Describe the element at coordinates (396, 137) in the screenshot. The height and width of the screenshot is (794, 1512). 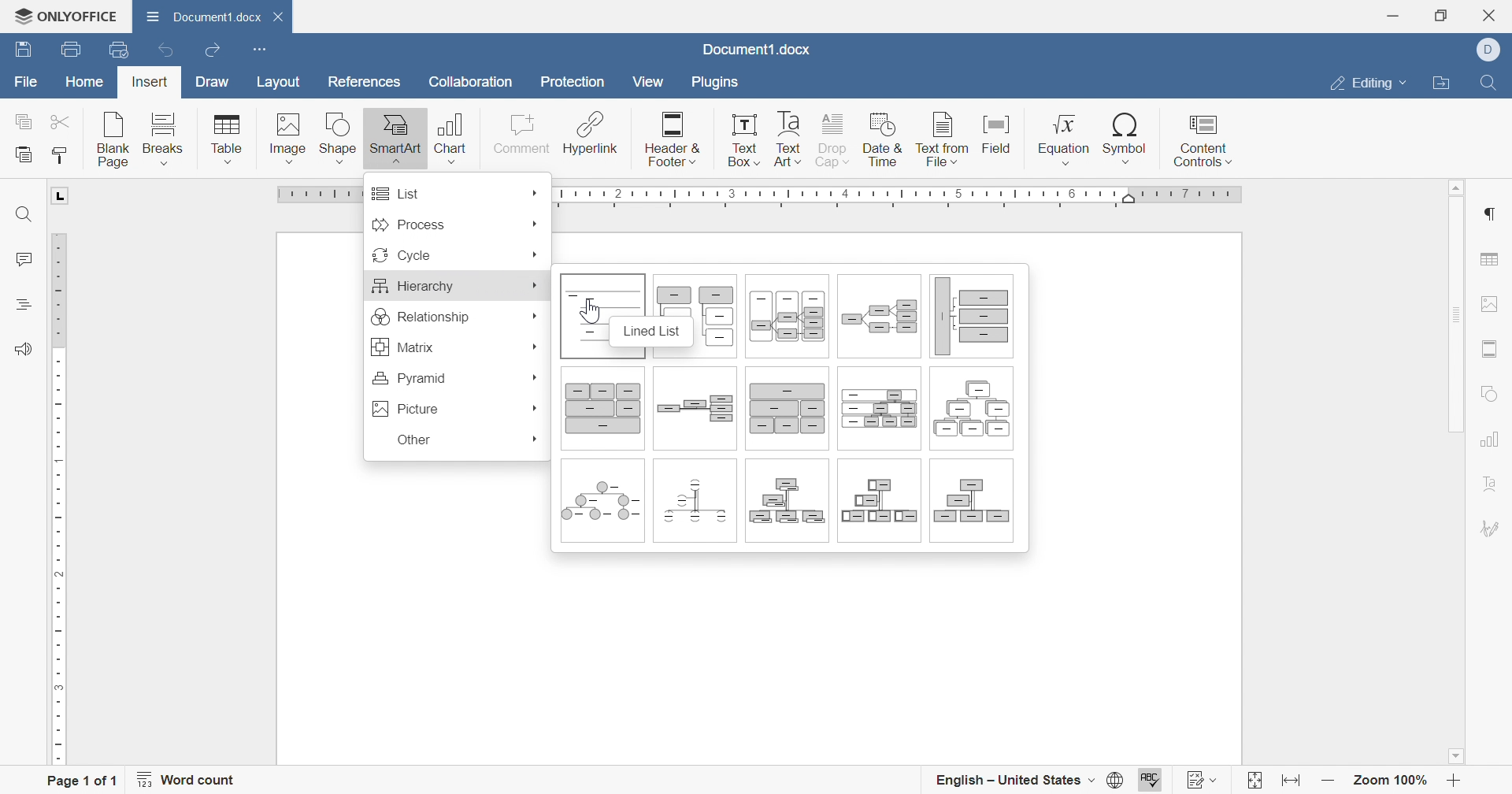
I see `SmartArt` at that location.